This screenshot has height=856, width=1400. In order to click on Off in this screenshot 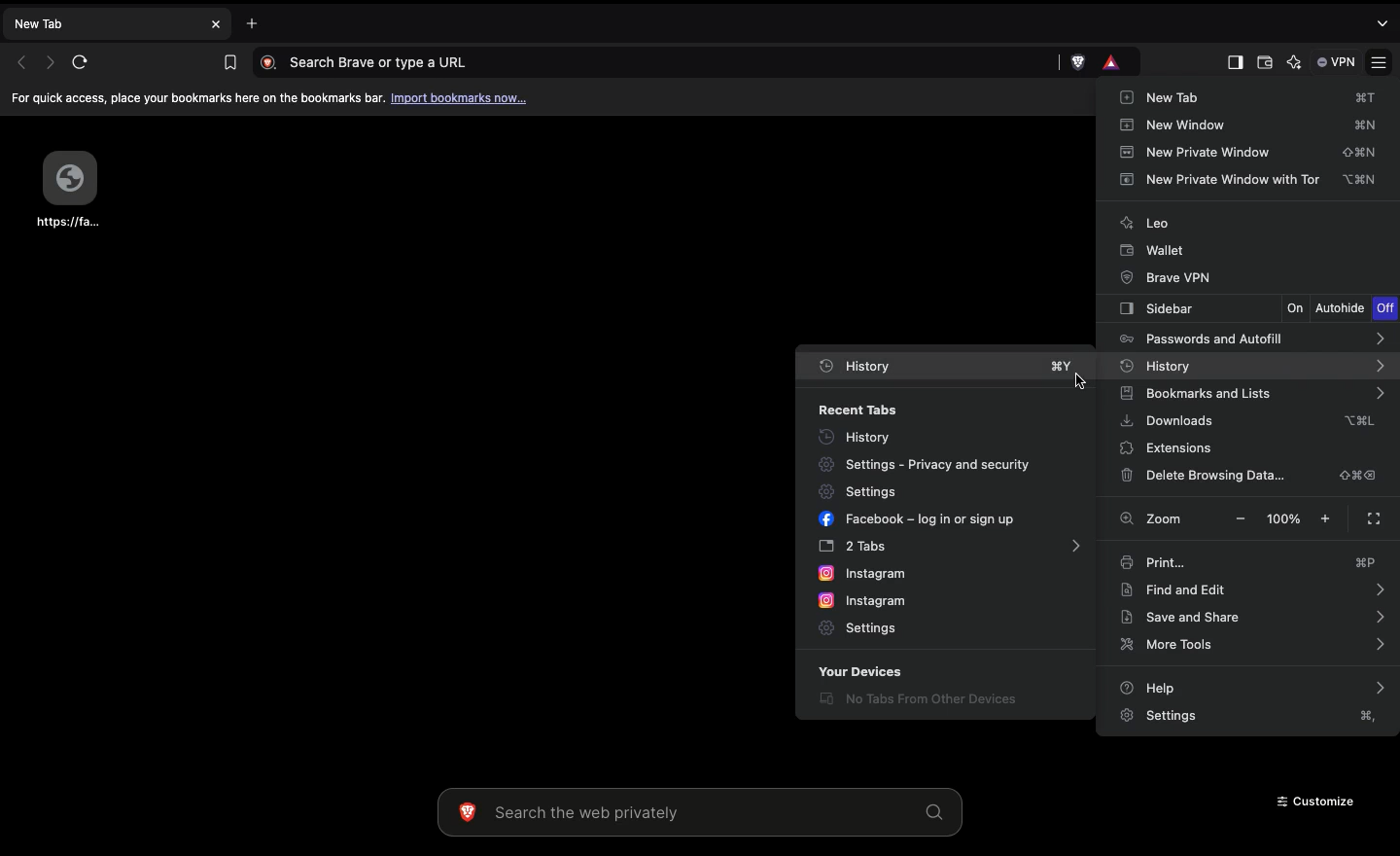, I will do `click(1385, 307)`.